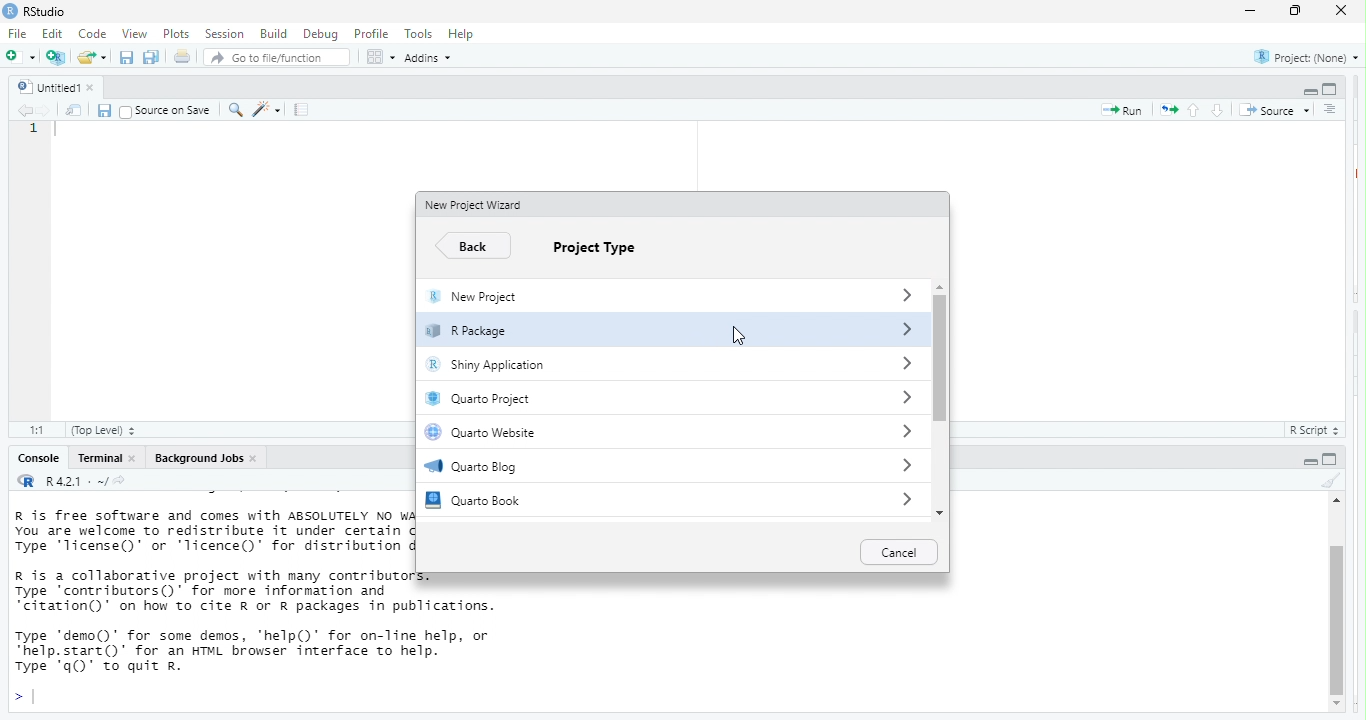  I want to click on code, so click(94, 35).